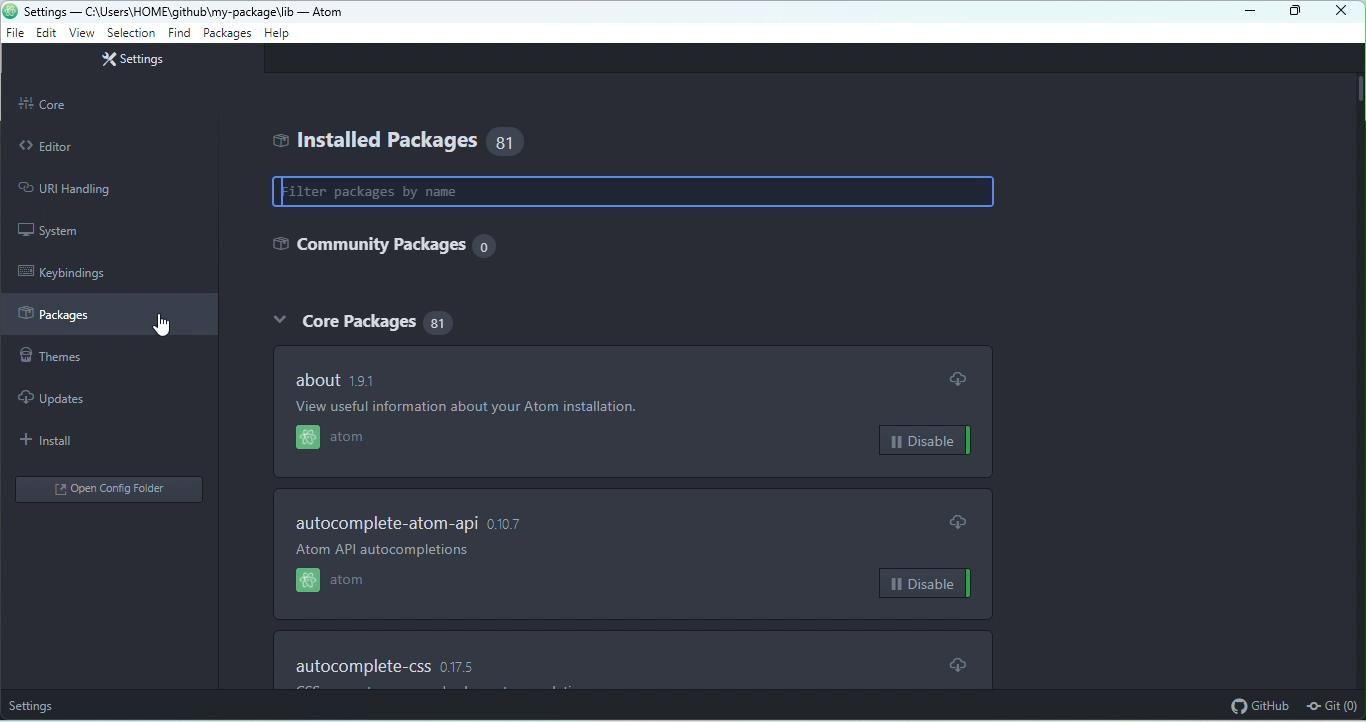  I want to click on 81, so click(511, 142).